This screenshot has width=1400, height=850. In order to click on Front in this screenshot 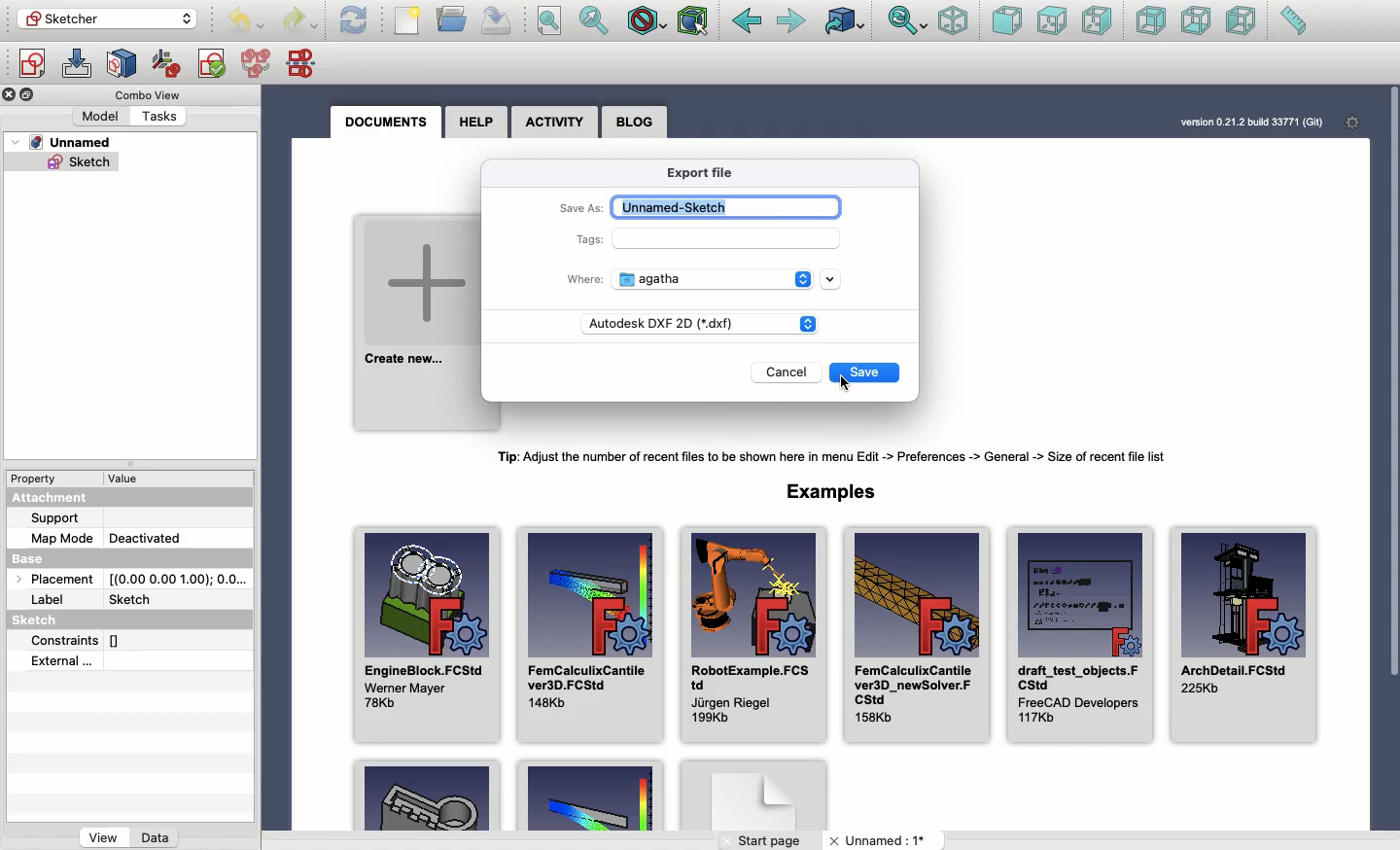, I will do `click(1005, 22)`.